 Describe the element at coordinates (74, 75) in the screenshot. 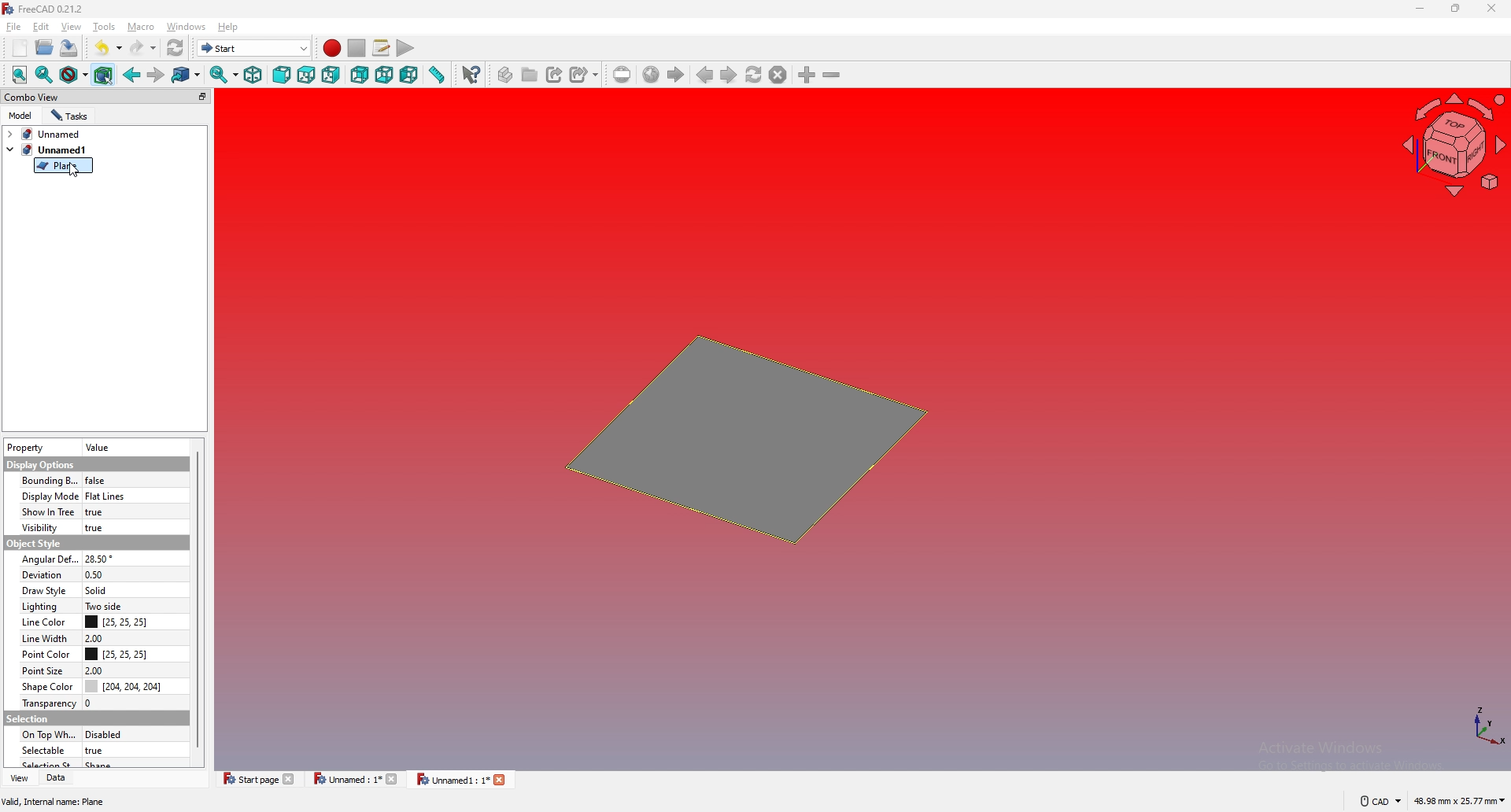

I see `draw style` at that location.